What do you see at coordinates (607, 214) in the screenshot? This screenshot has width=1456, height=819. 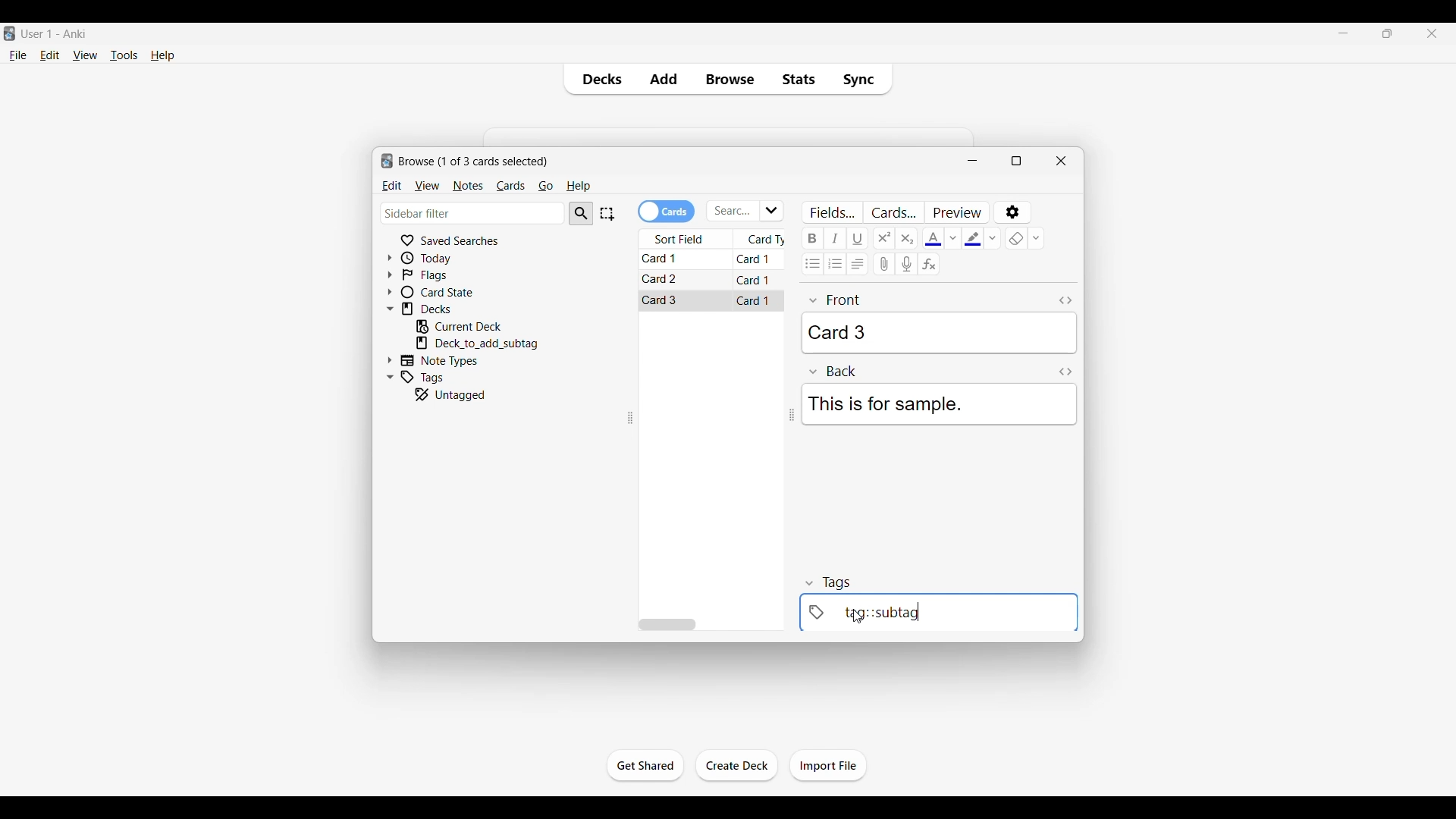 I see `Select` at bounding box center [607, 214].